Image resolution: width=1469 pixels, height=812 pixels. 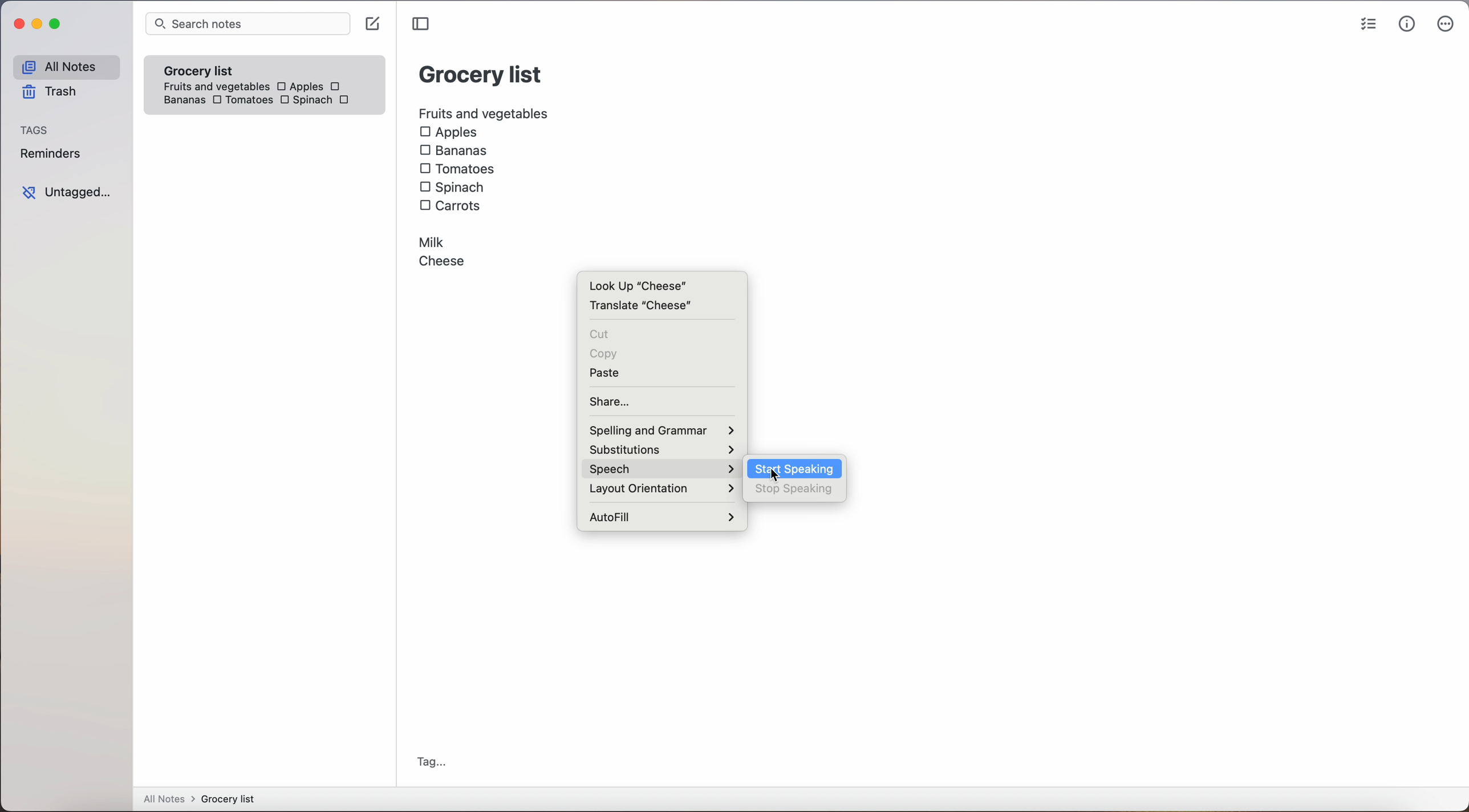 What do you see at coordinates (58, 25) in the screenshot?
I see `maximize` at bounding box center [58, 25].